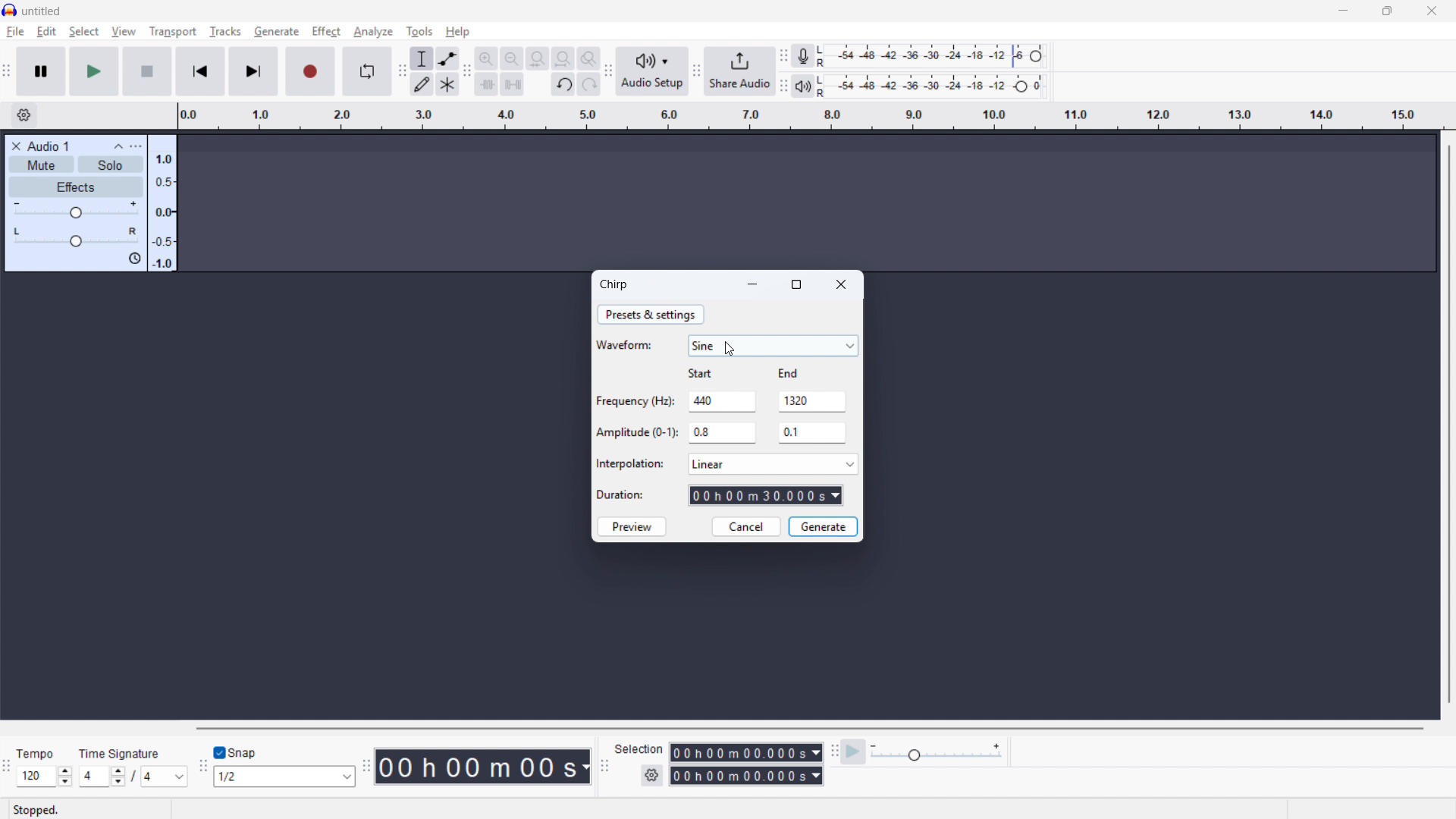 This screenshot has width=1456, height=819. What do you see at coordinates (811, 728) in the screenshot?
I see `Horizontal scroll bar ` at bounding box center [811, 728].